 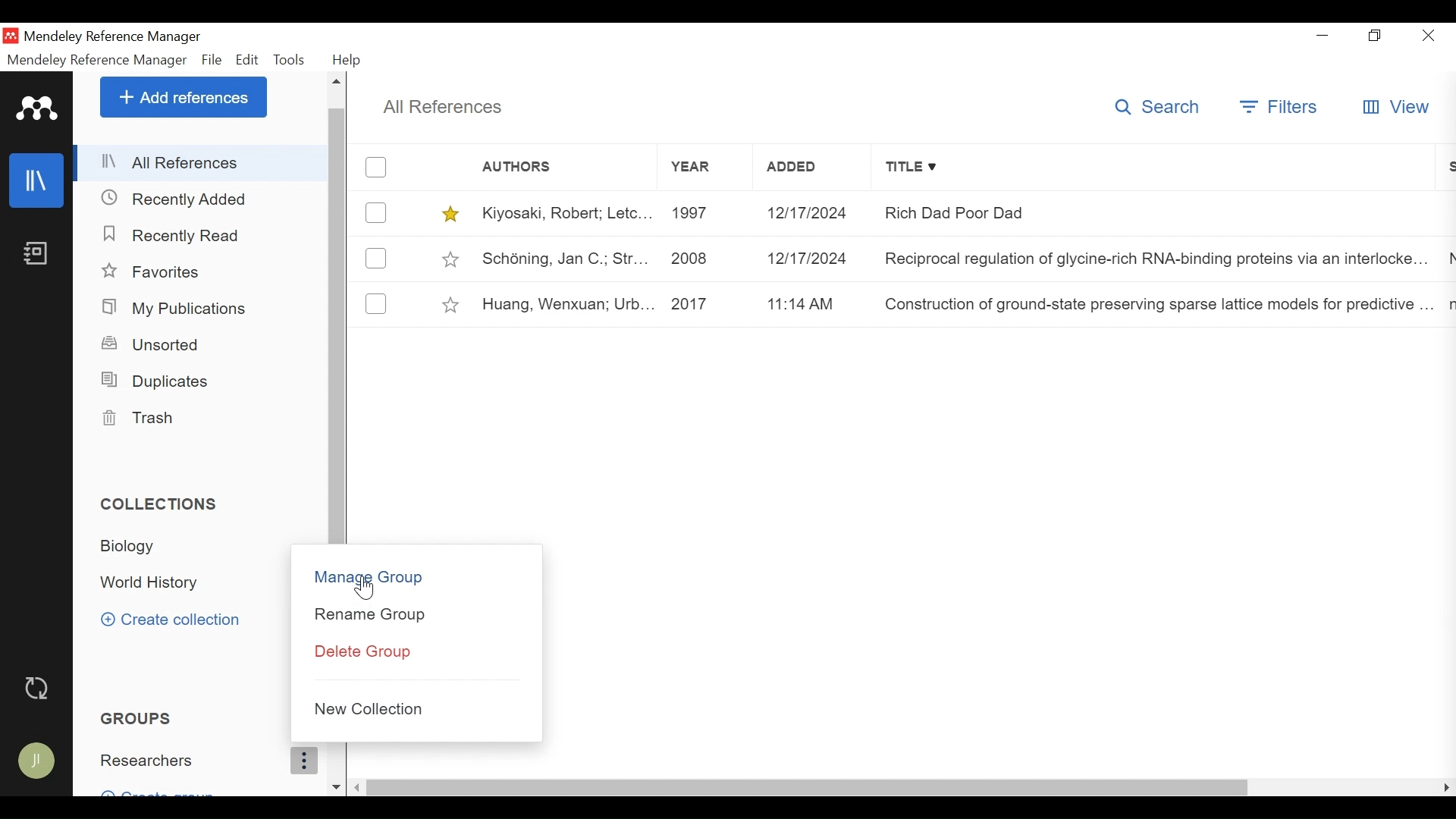 What do you see at coordinates (143, 419) in the screenshot?
I see `Trash` at bounding box center [143, 419].